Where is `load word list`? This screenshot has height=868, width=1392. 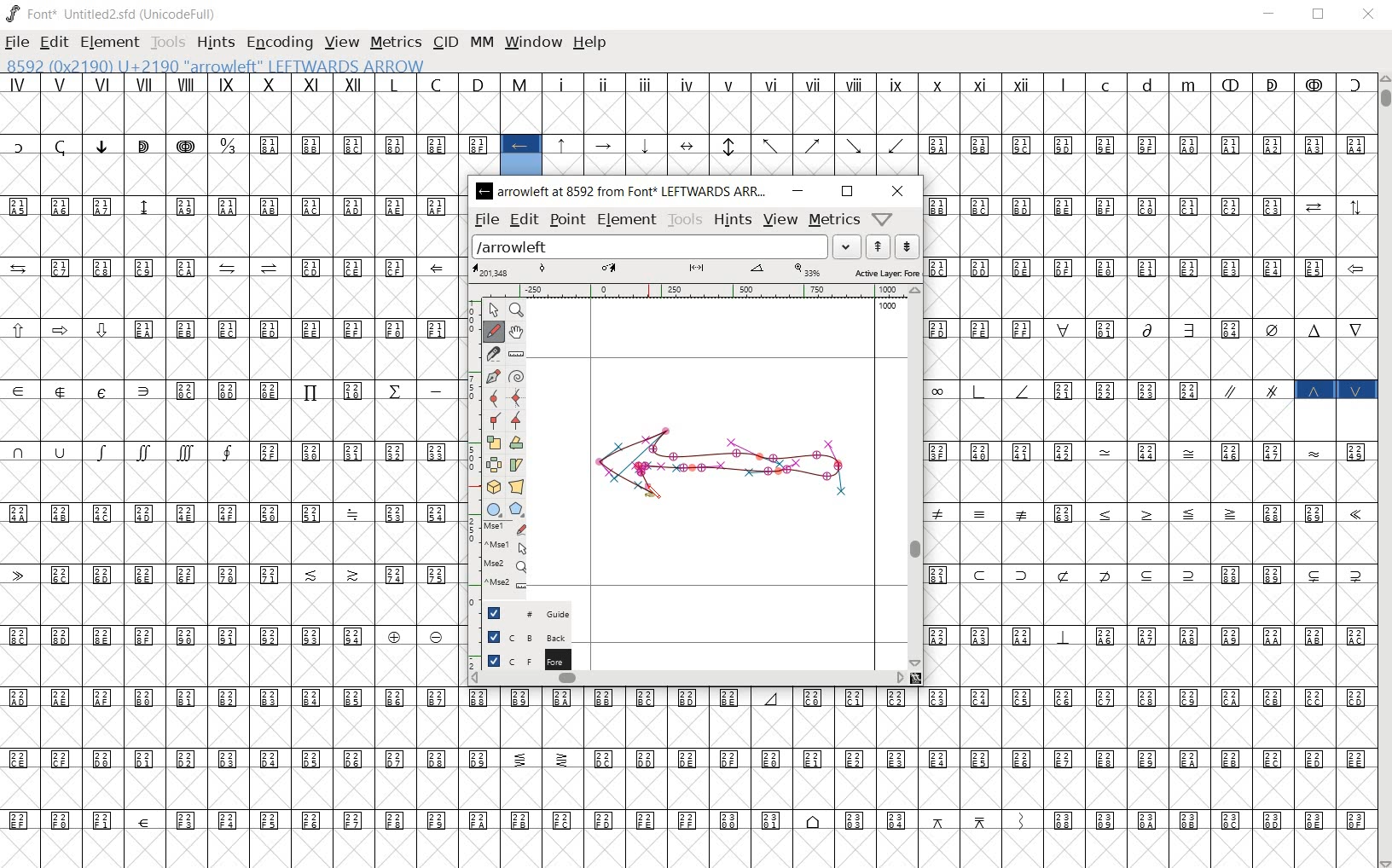 load word list is located at coordinates (667, 246).